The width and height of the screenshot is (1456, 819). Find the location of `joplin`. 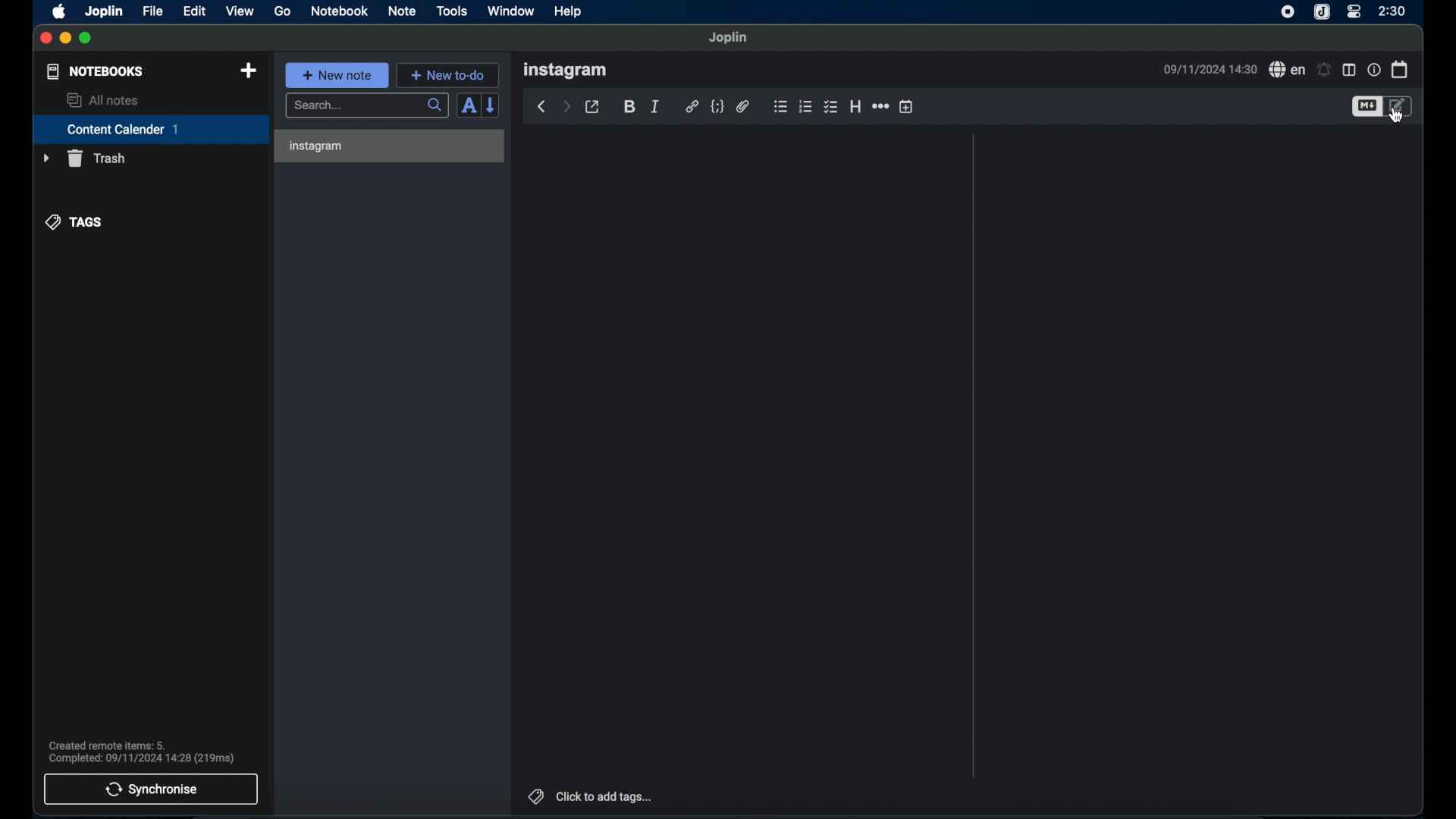

joplin is located at coordinates (104, 11).